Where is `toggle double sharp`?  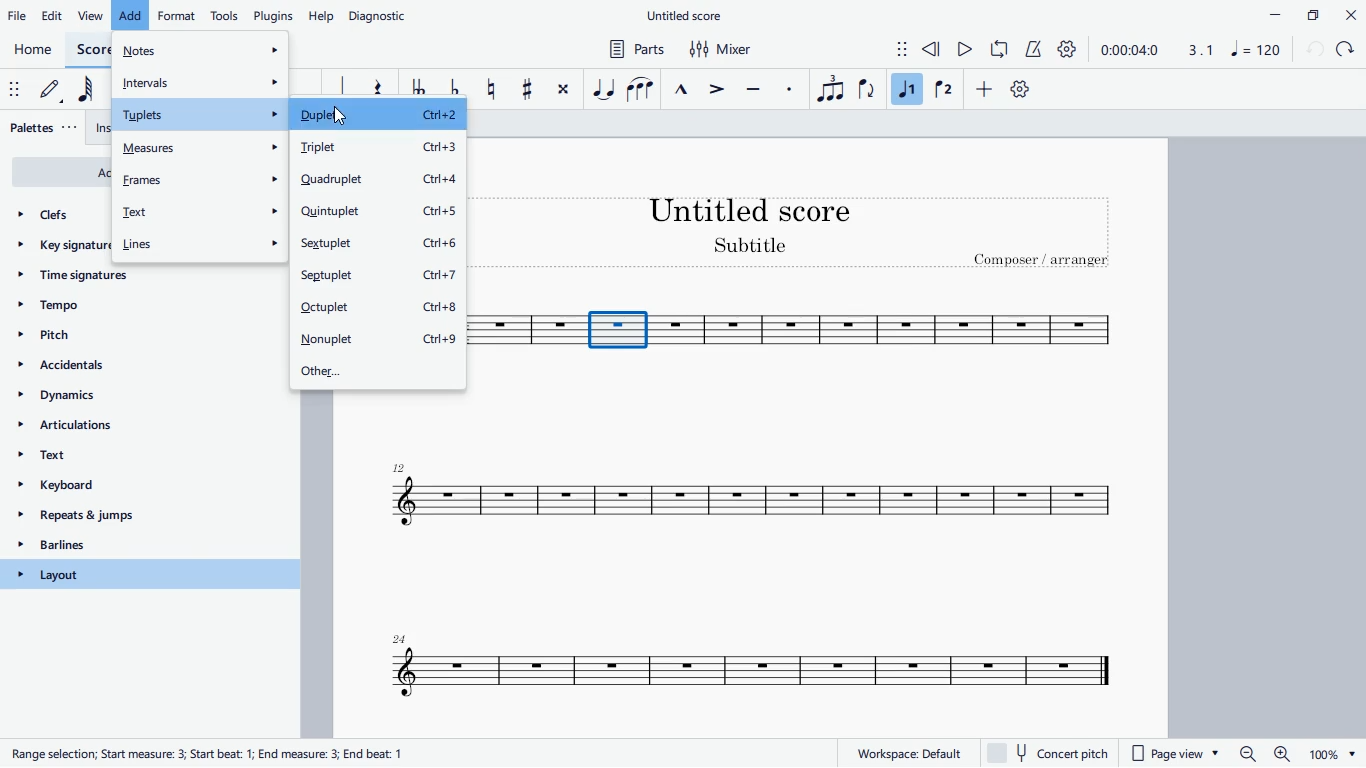
toggle double sharp is located at coordinates (563, 93).